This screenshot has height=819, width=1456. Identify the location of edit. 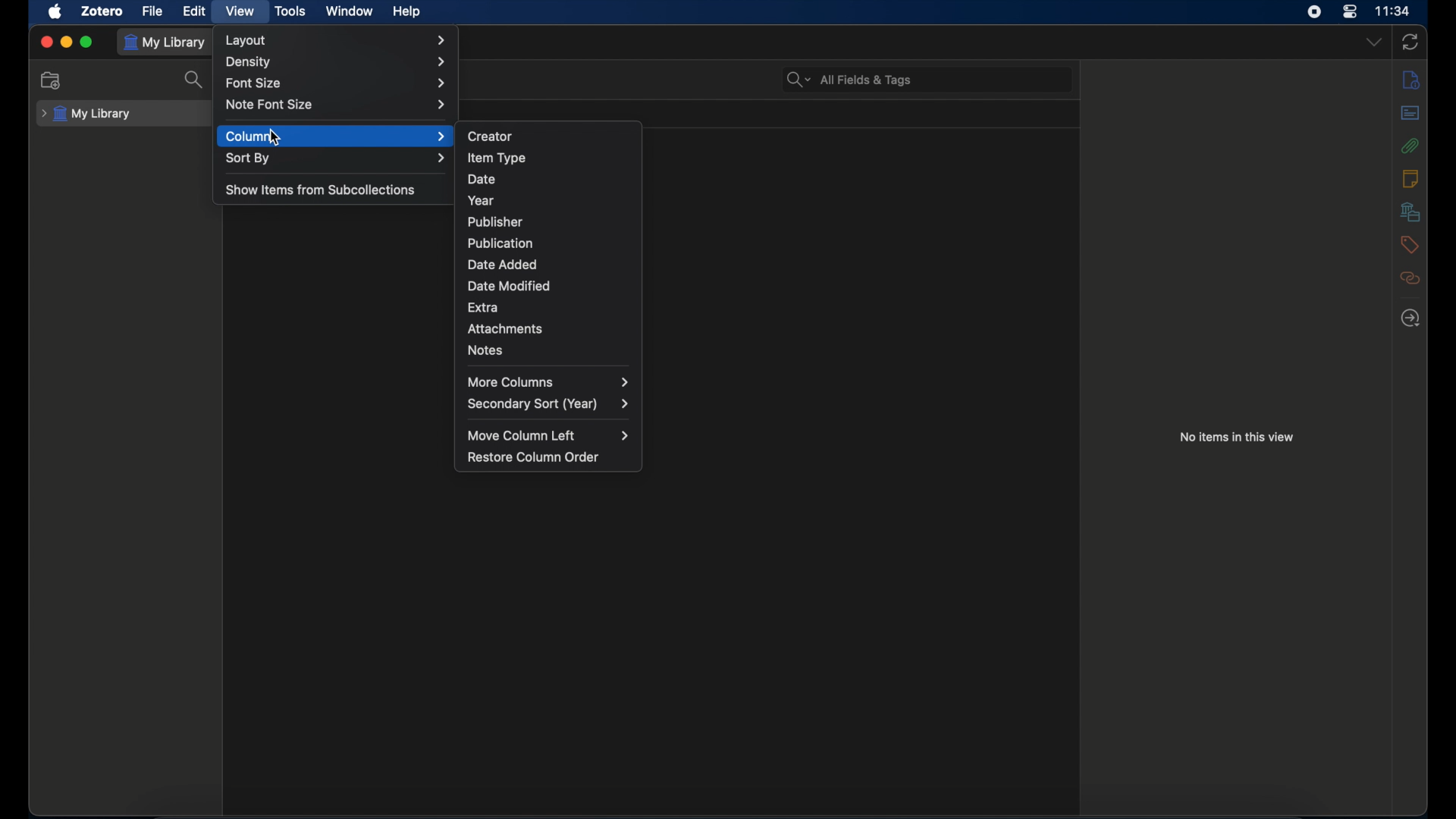
(196, 12).